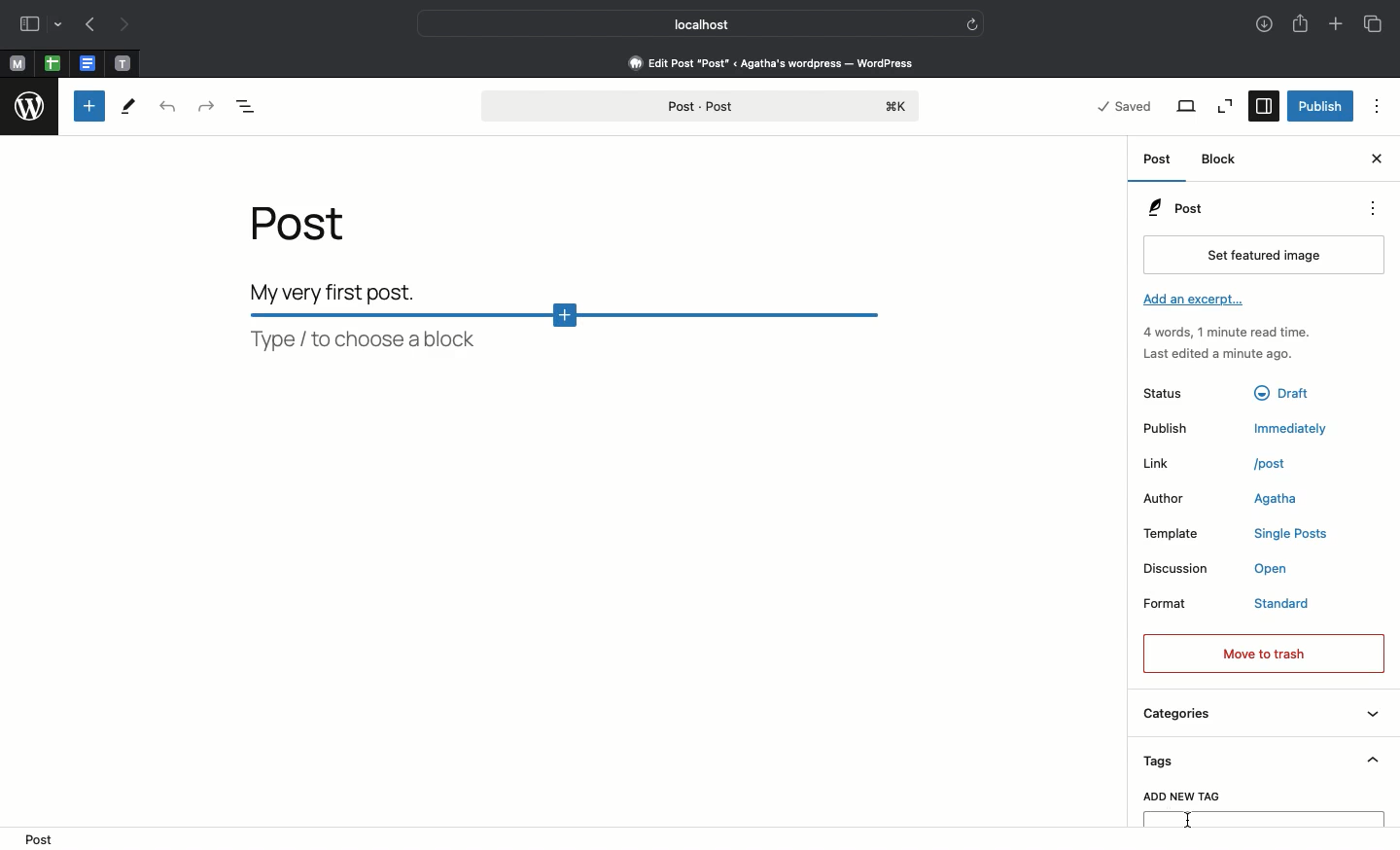  What do you see at coordinates (1244, 209) in the screenshot?
I see `Post` at bounding box center [1244, 209].